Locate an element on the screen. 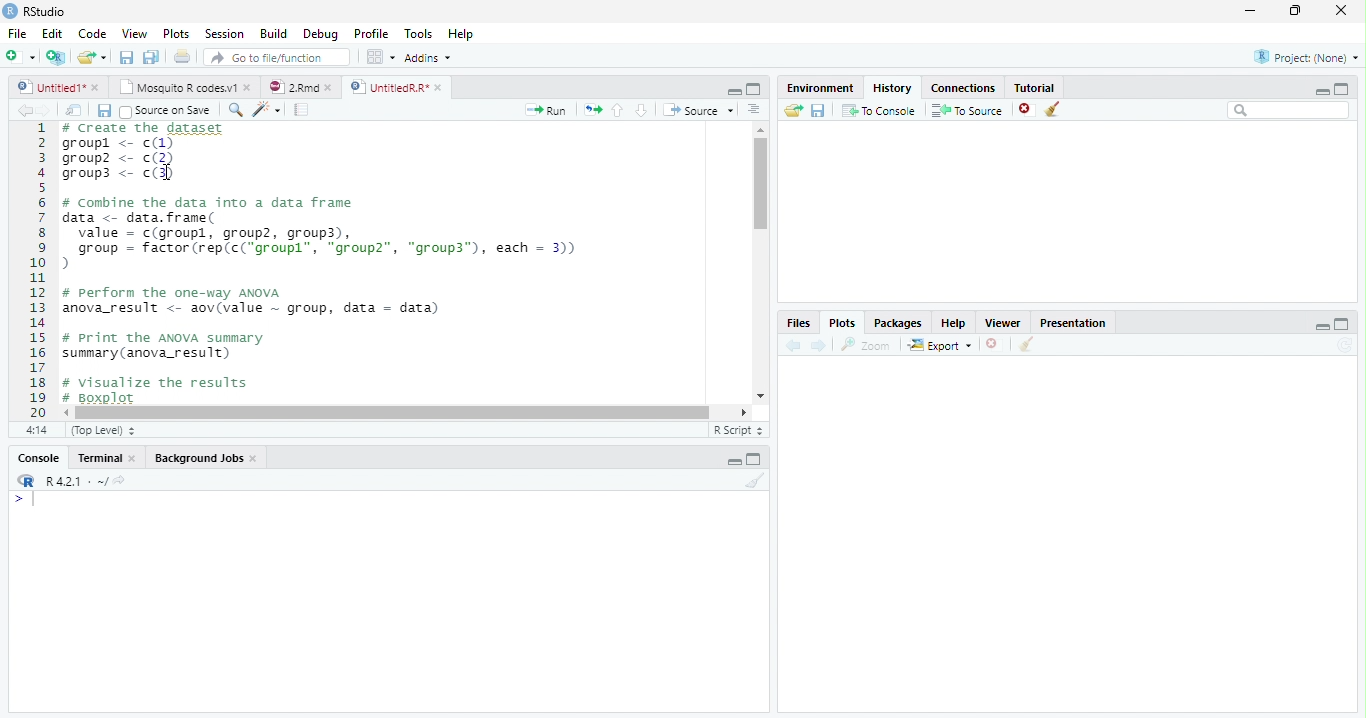 The height and width of the screenshot is (718, 1366). Workspace pane is located at coordinates (379, 56).